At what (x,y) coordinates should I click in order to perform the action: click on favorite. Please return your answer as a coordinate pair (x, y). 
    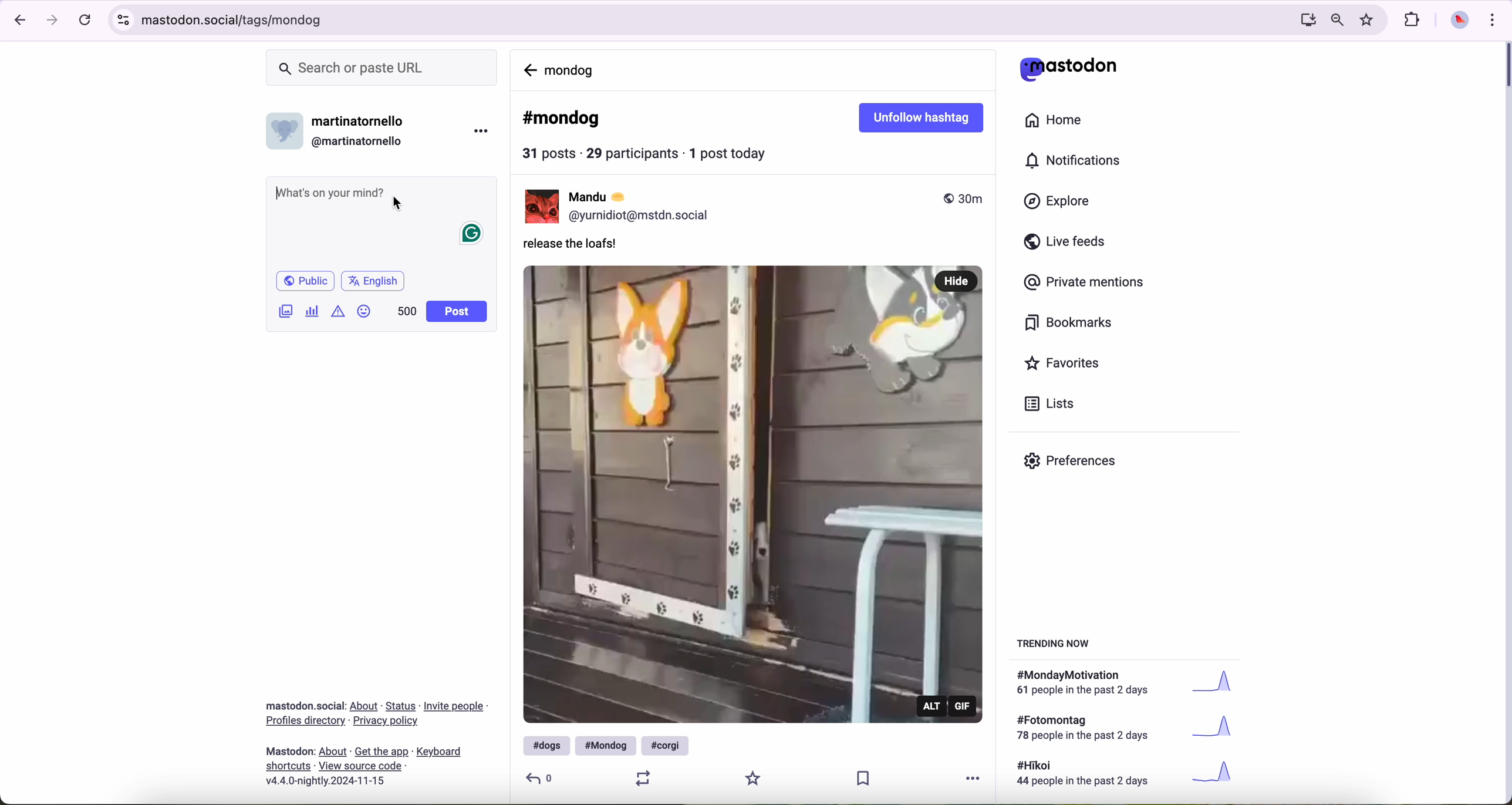
    Looking at the image, I should click on (754, 777).